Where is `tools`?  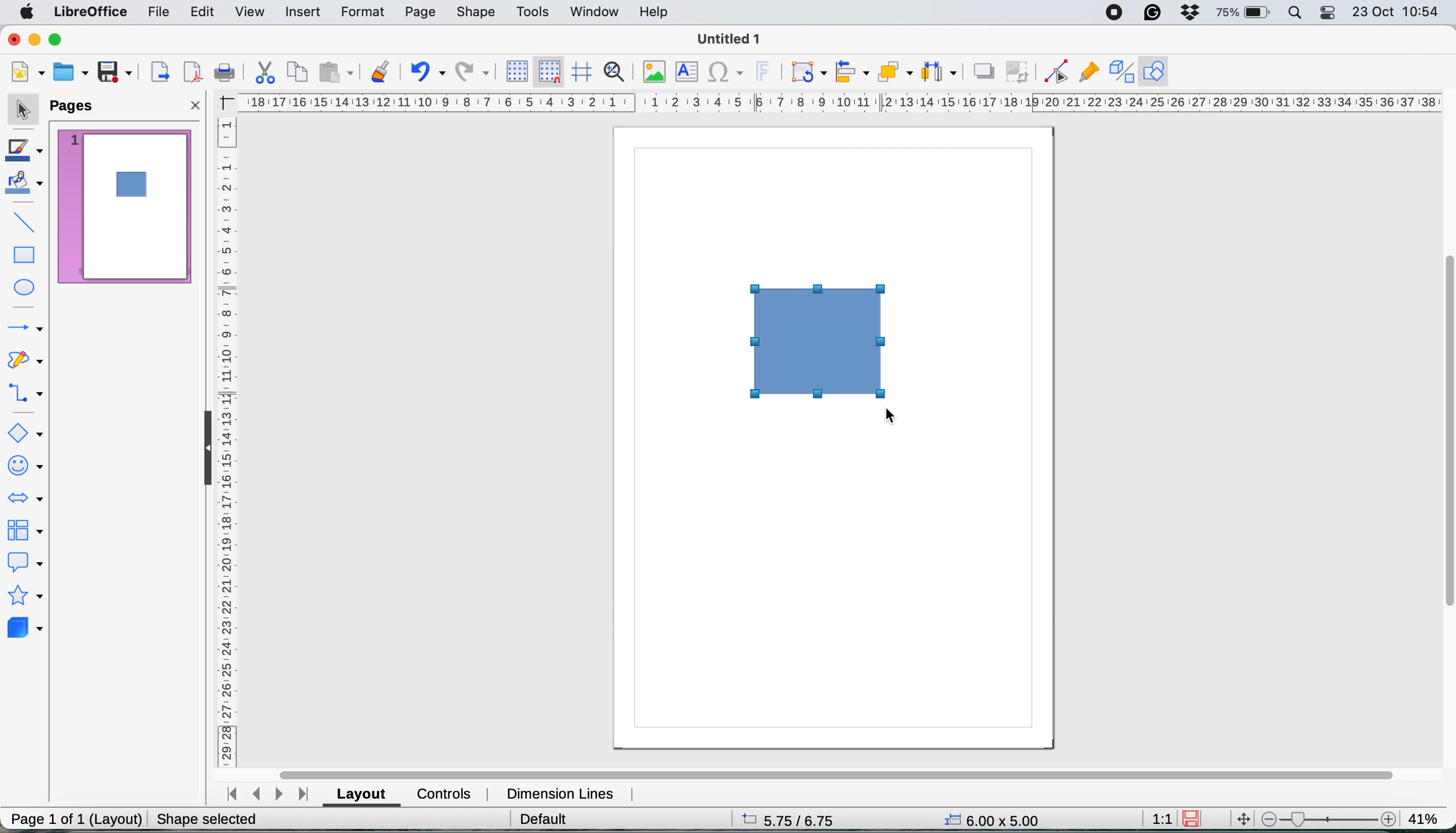
tools is located at coordinates (534, 11).